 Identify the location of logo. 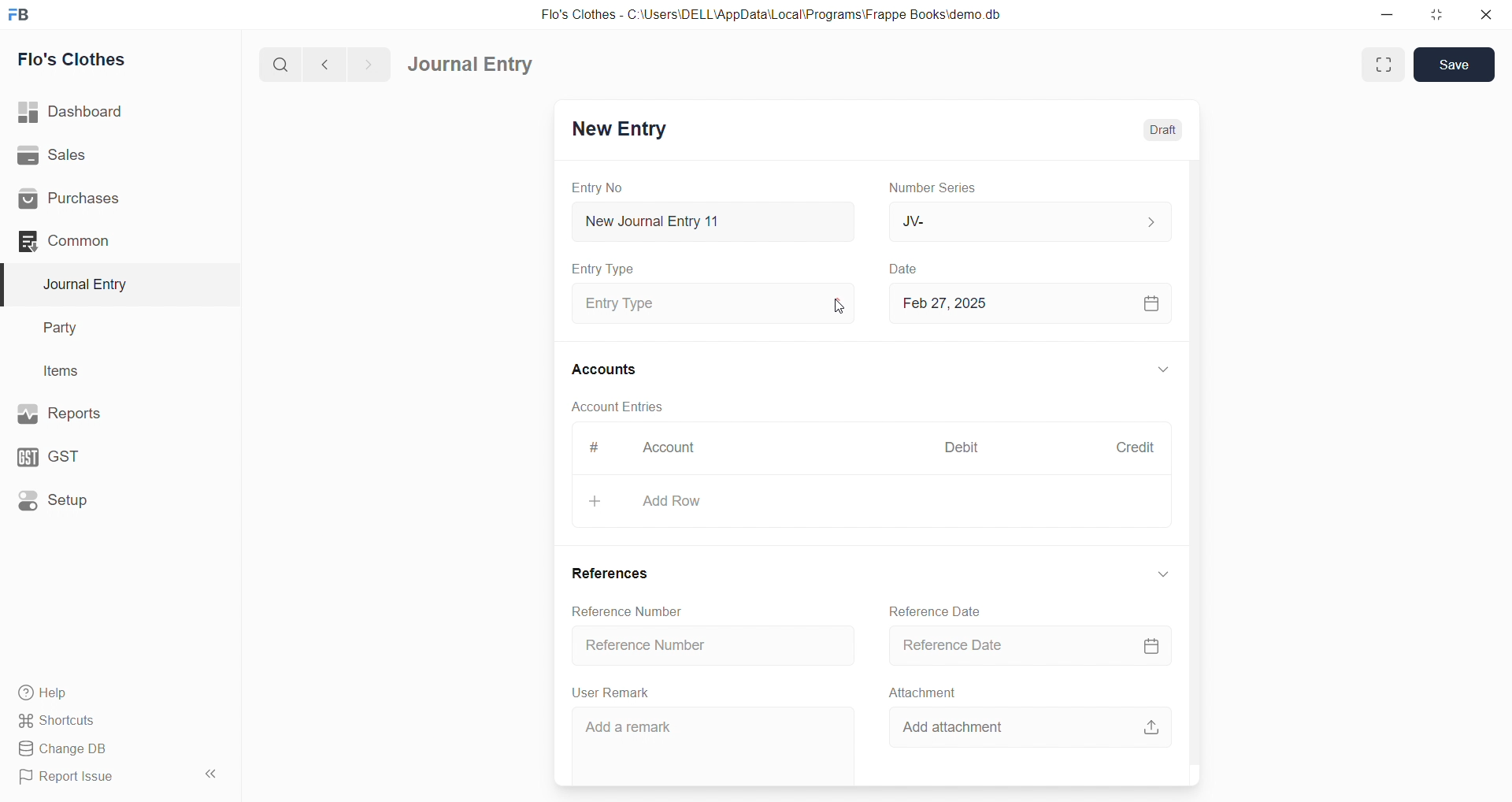
(24, 13).